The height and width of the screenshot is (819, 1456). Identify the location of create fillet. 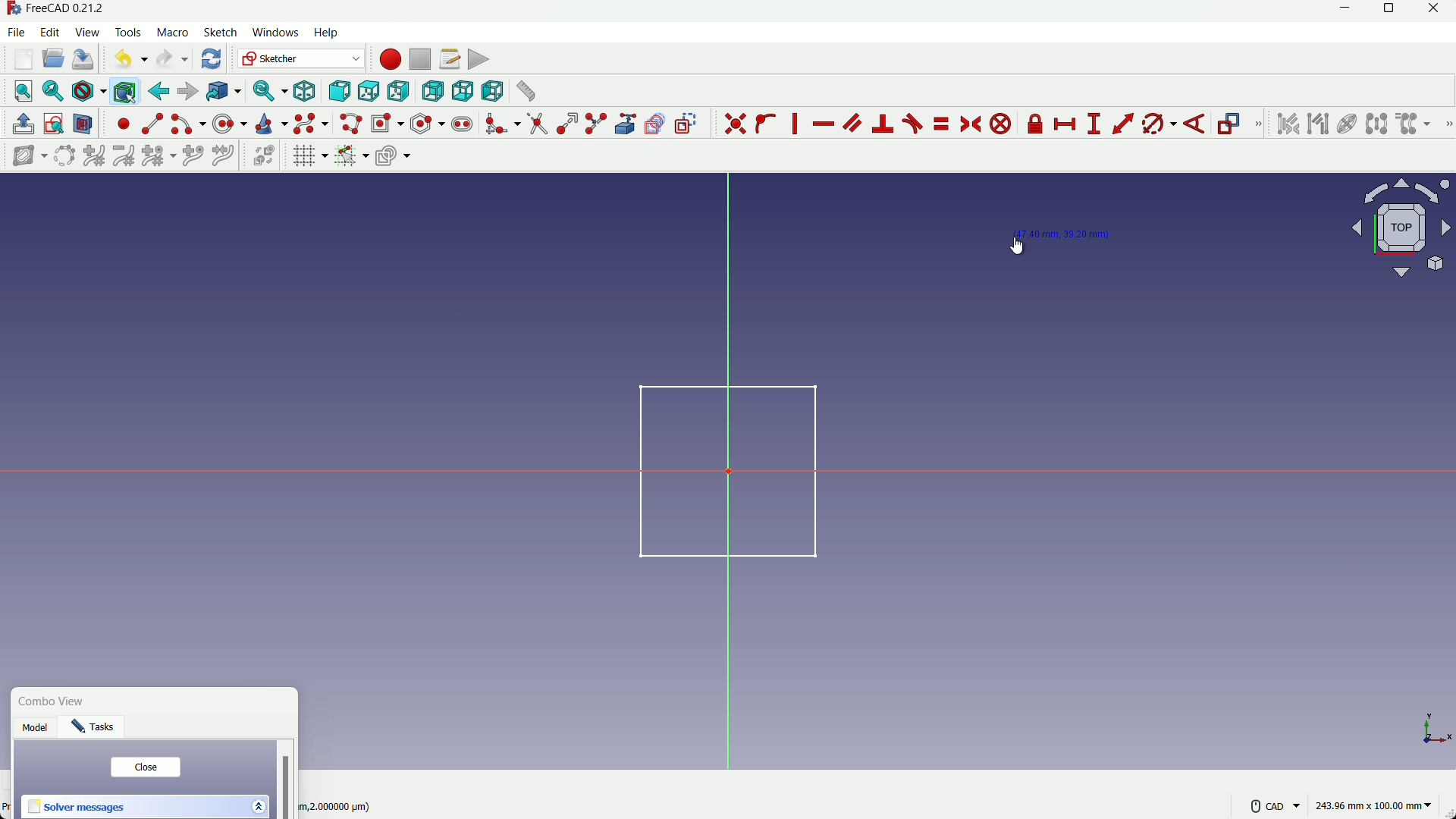
(501, 124).